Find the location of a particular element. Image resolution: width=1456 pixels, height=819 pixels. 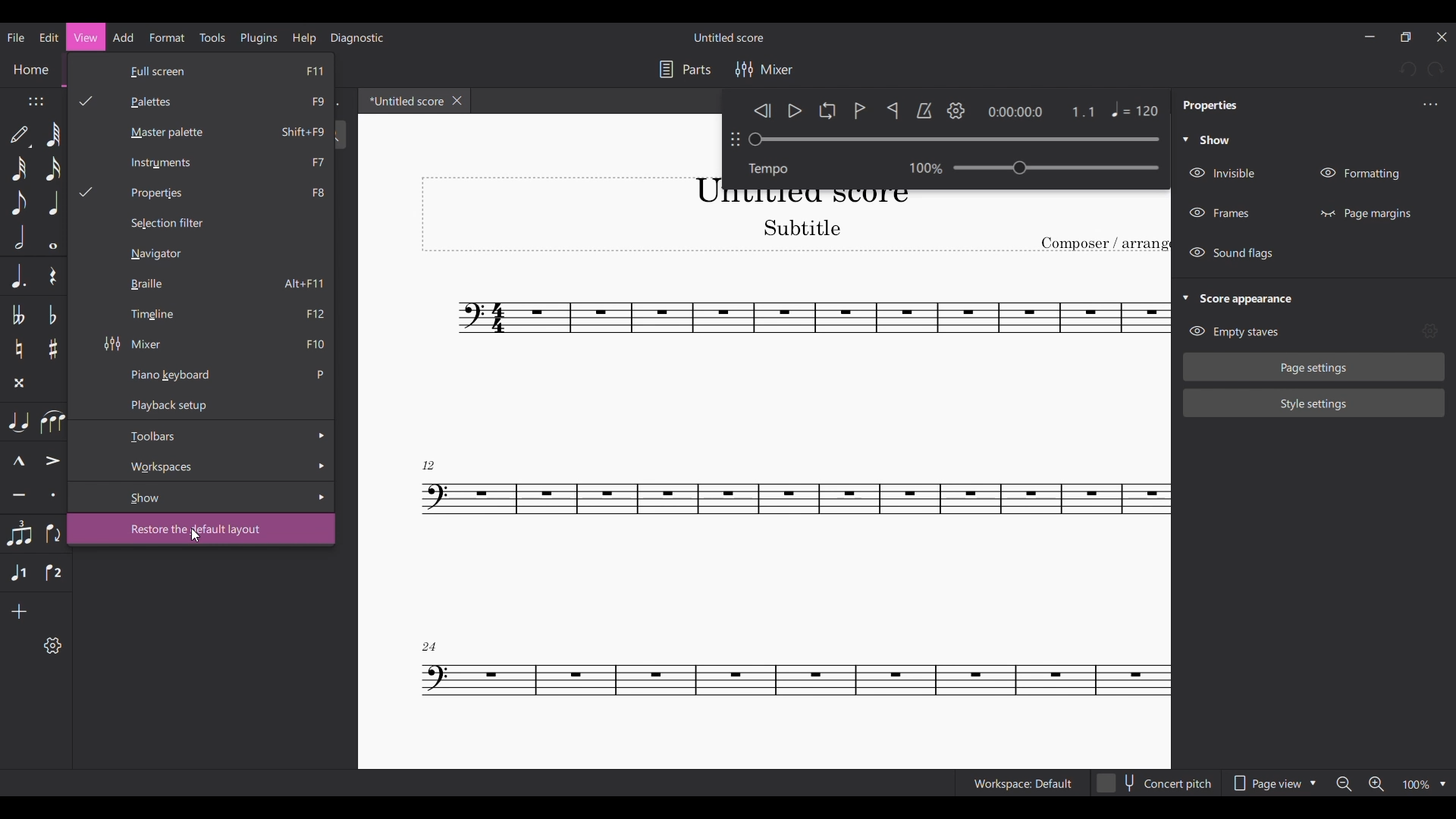

Empty staves is located at coordinates (1234, 331).